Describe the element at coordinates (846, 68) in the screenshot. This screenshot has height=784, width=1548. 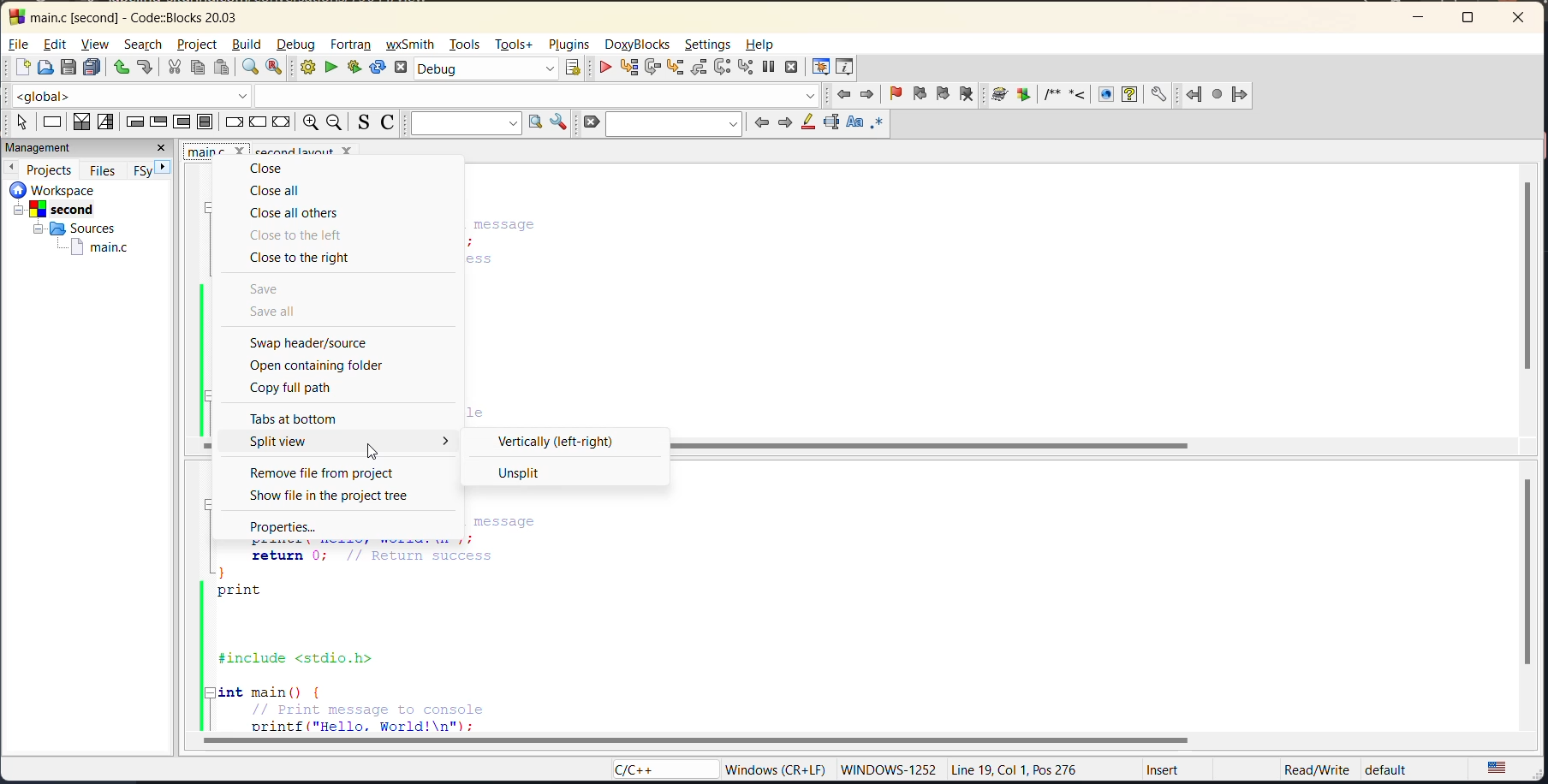
I see `various info` at that location.